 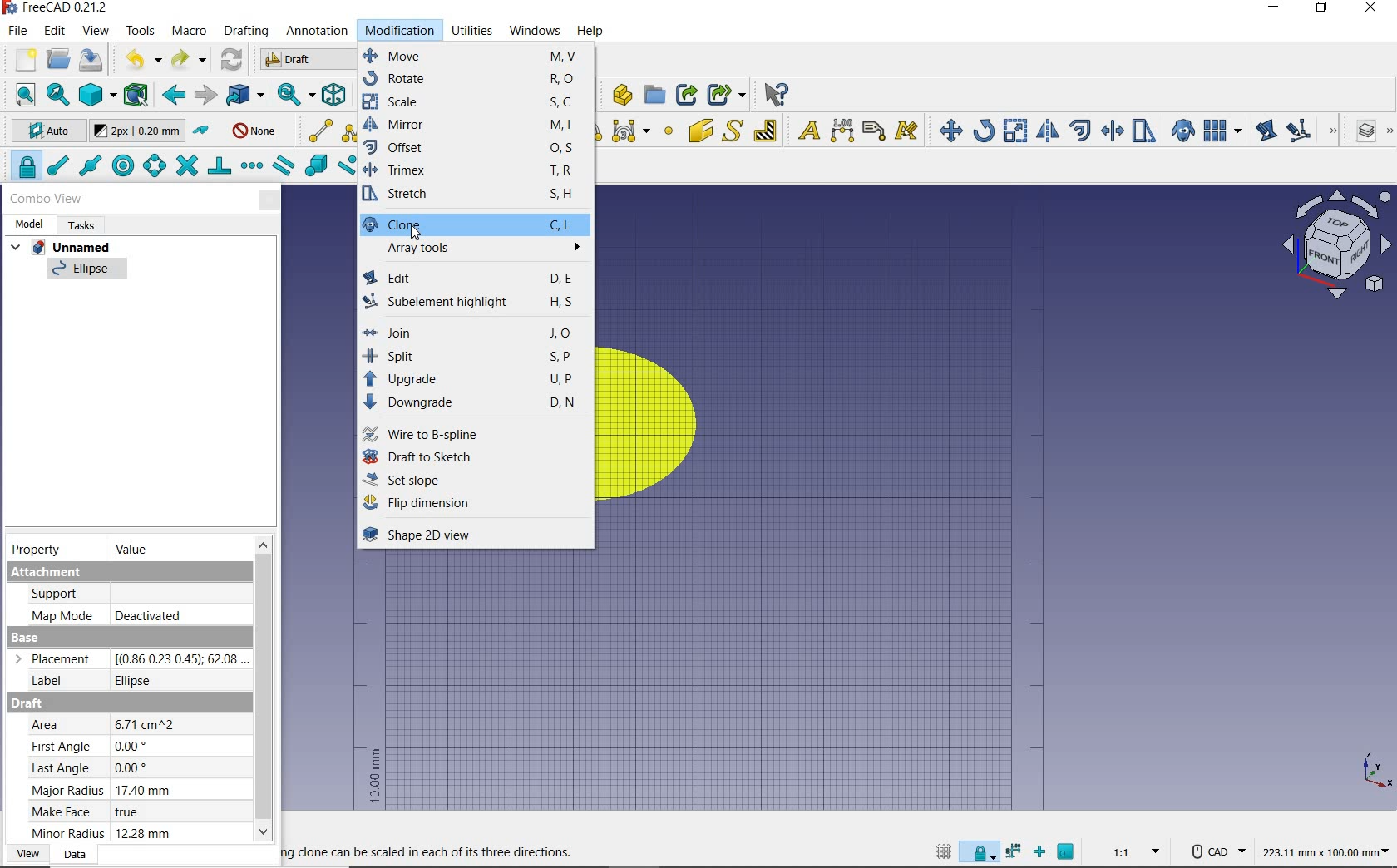 I want to click on point, so click(x=669, y=131).